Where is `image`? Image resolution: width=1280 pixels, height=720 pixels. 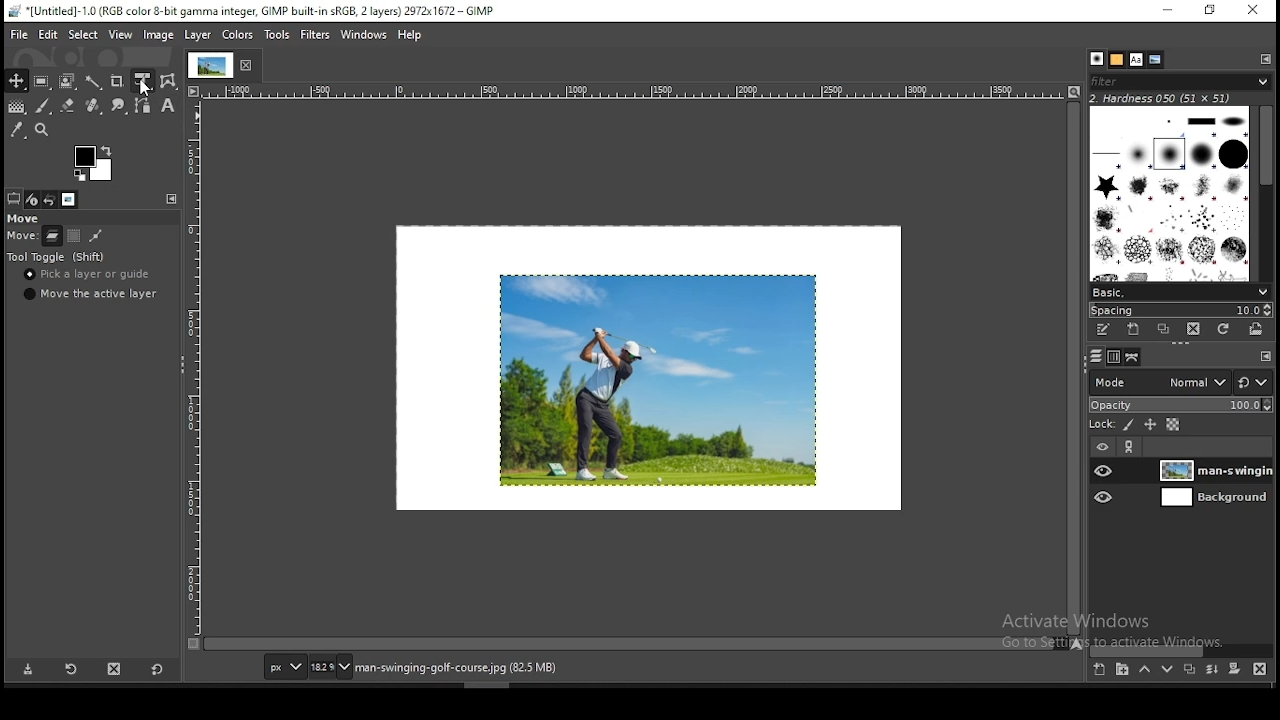 image is located at coordinates (235, 34).